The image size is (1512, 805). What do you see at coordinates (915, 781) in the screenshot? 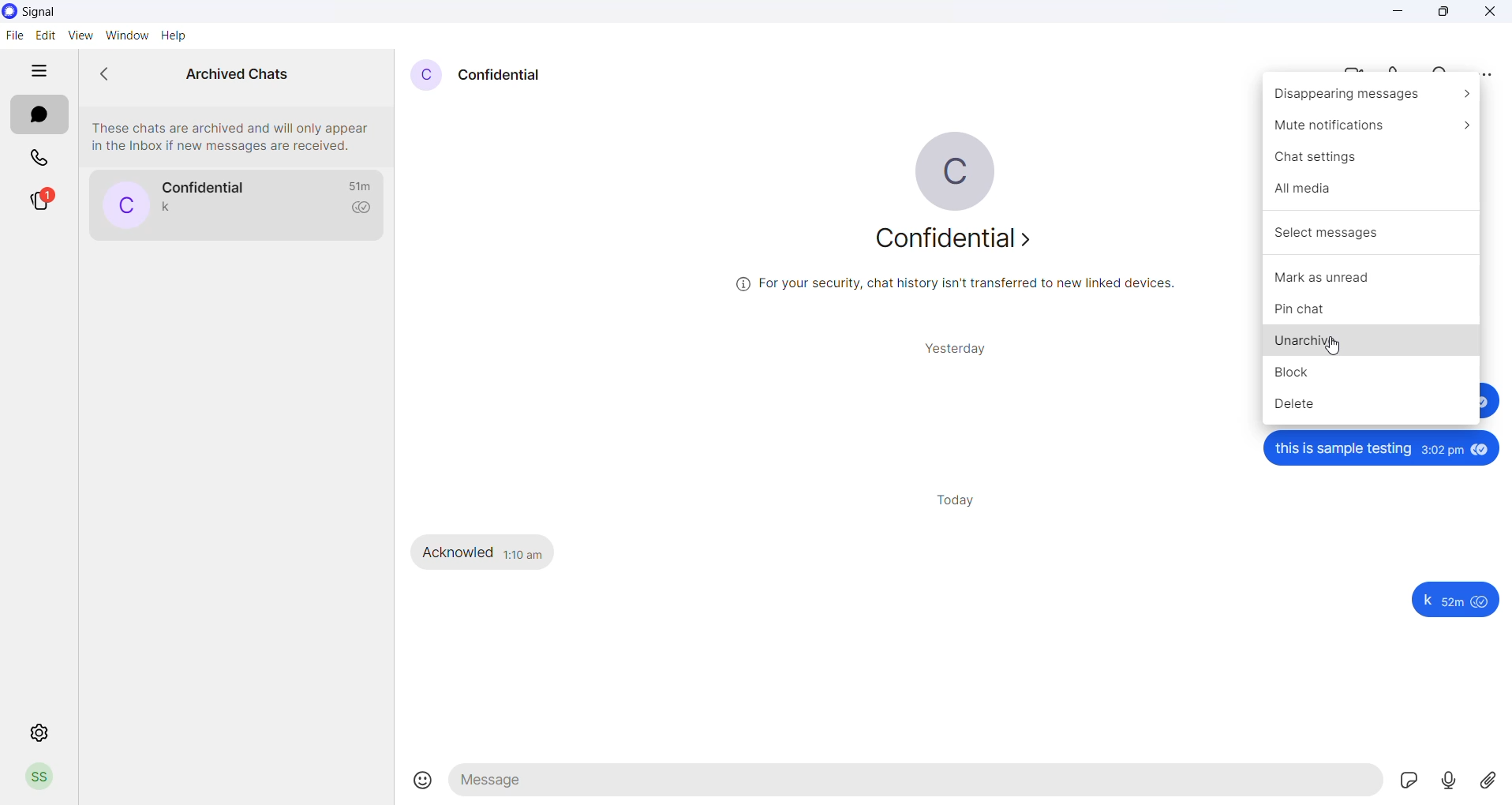
I see `message text area` at bounding box center [915, 781].